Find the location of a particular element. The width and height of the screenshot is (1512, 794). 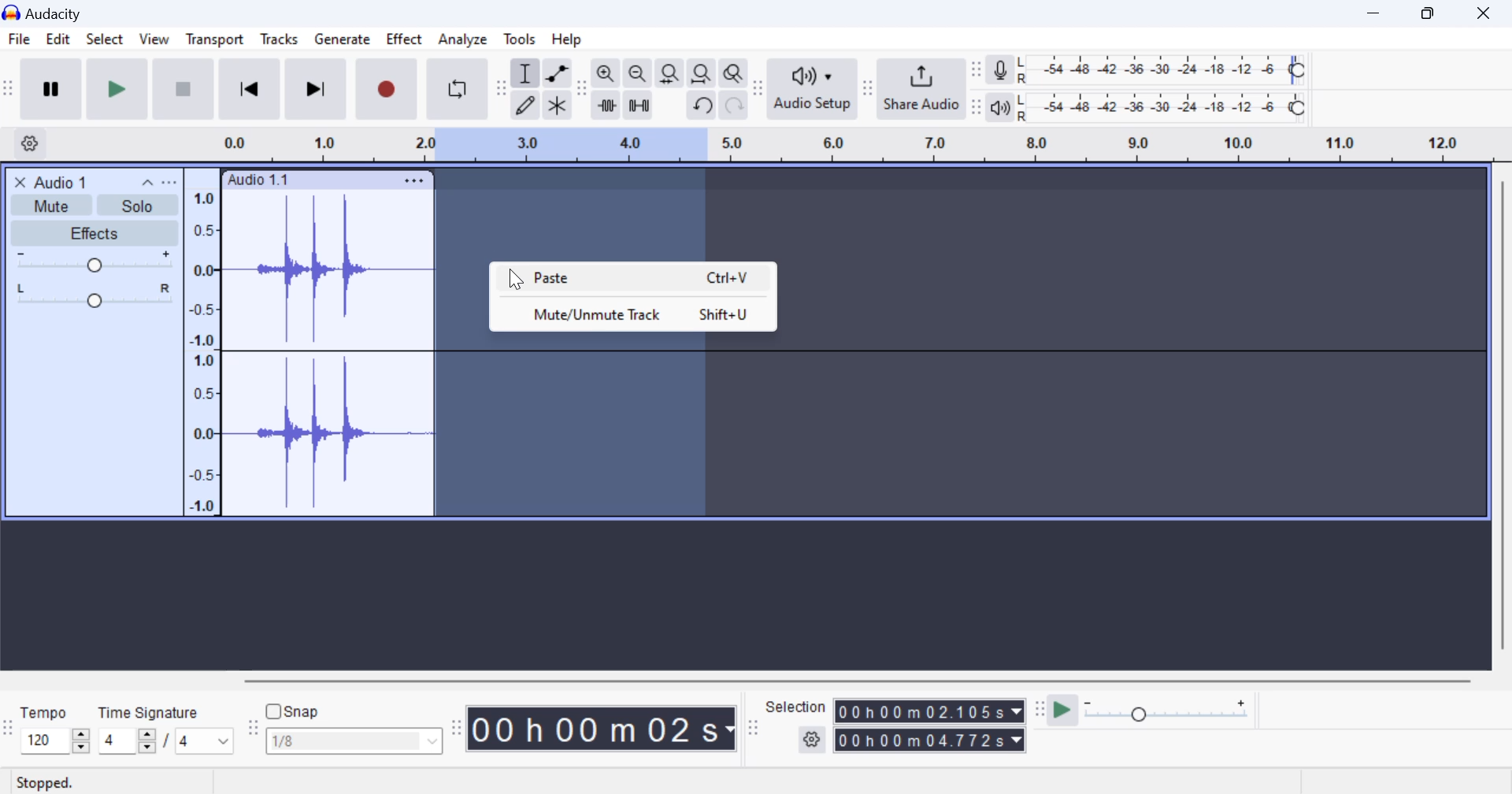

Clip Timeline is located at coordinates (841, 147).